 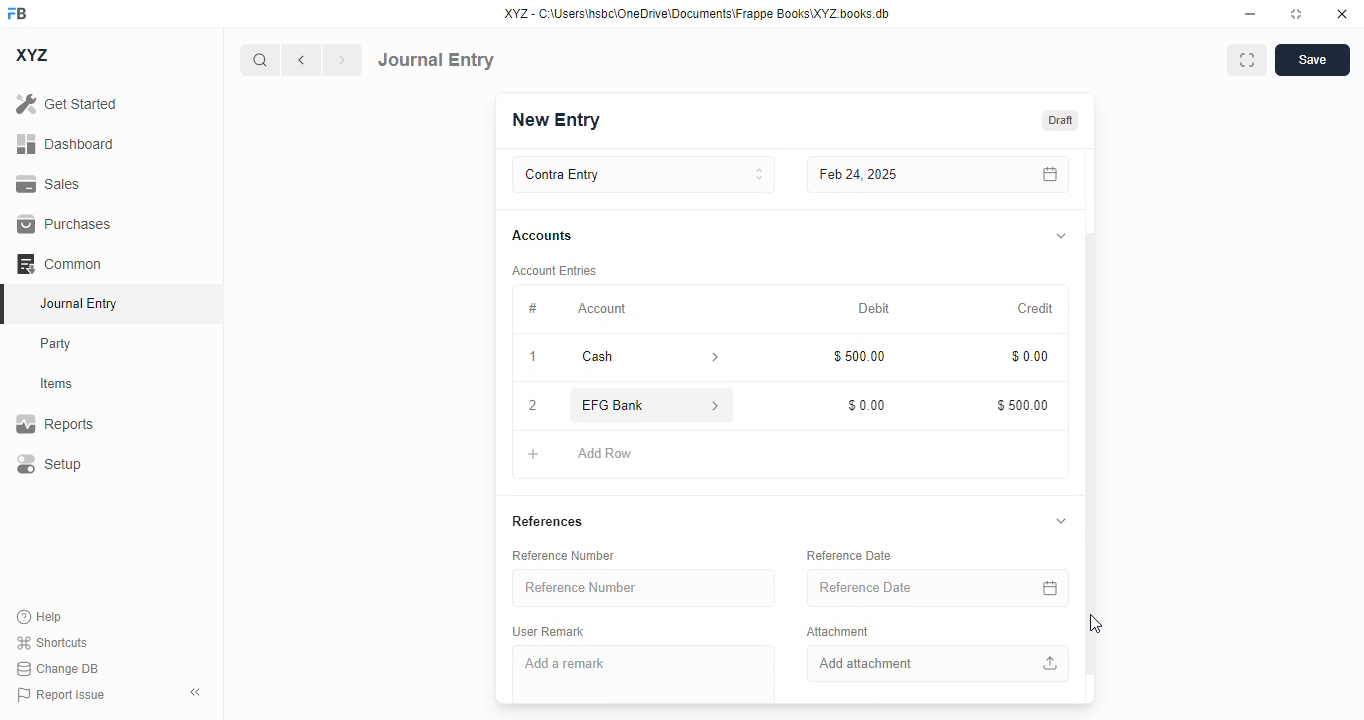 What do you see at coordinates (52, 642) in the screenshot?
I see `shortcuts` at bounding box center [52, 642].